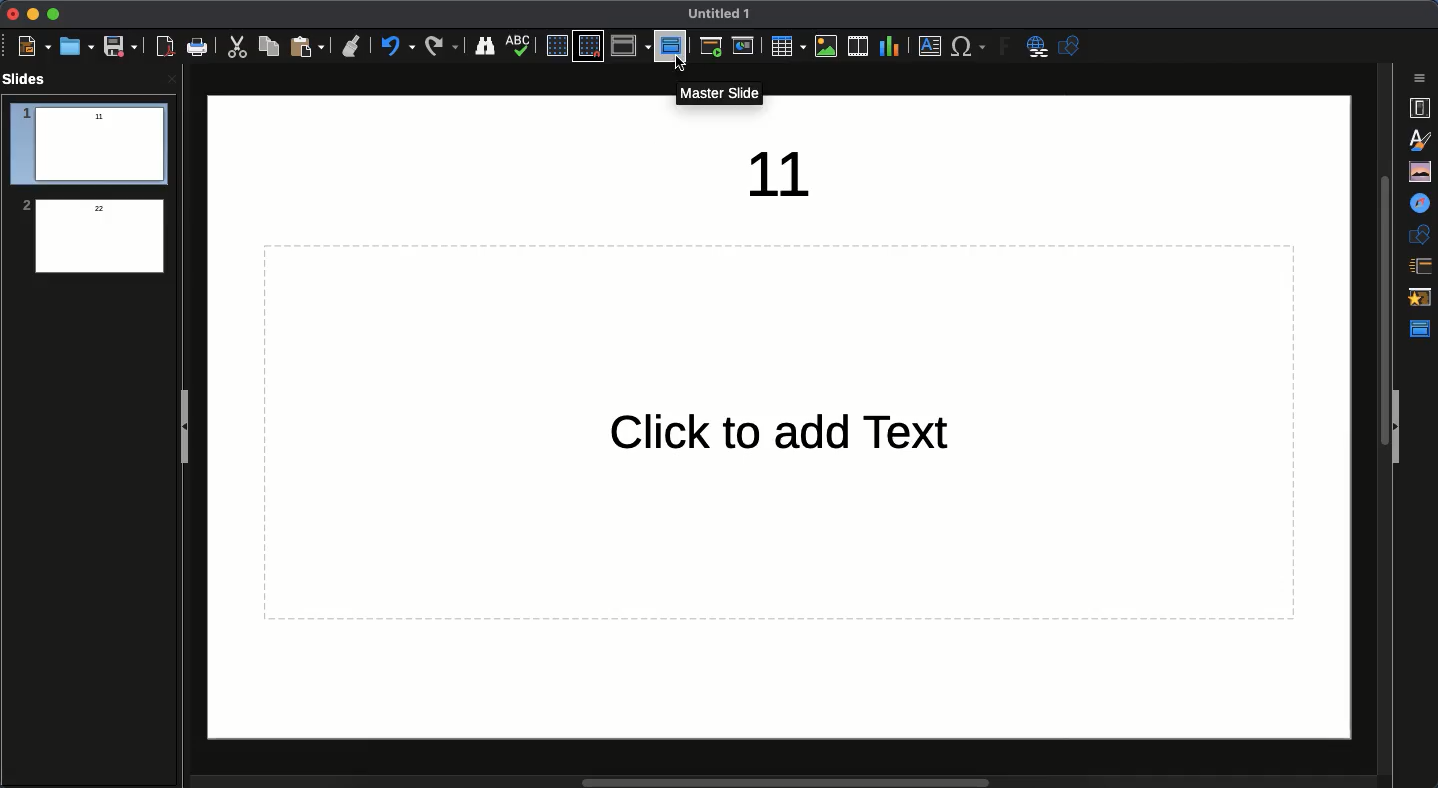 The height and width of the screenshot is (788, 1438). What do you see at coordinates (34, 47) in the screenshot?
I see `New` at bounding box center [34, 47].